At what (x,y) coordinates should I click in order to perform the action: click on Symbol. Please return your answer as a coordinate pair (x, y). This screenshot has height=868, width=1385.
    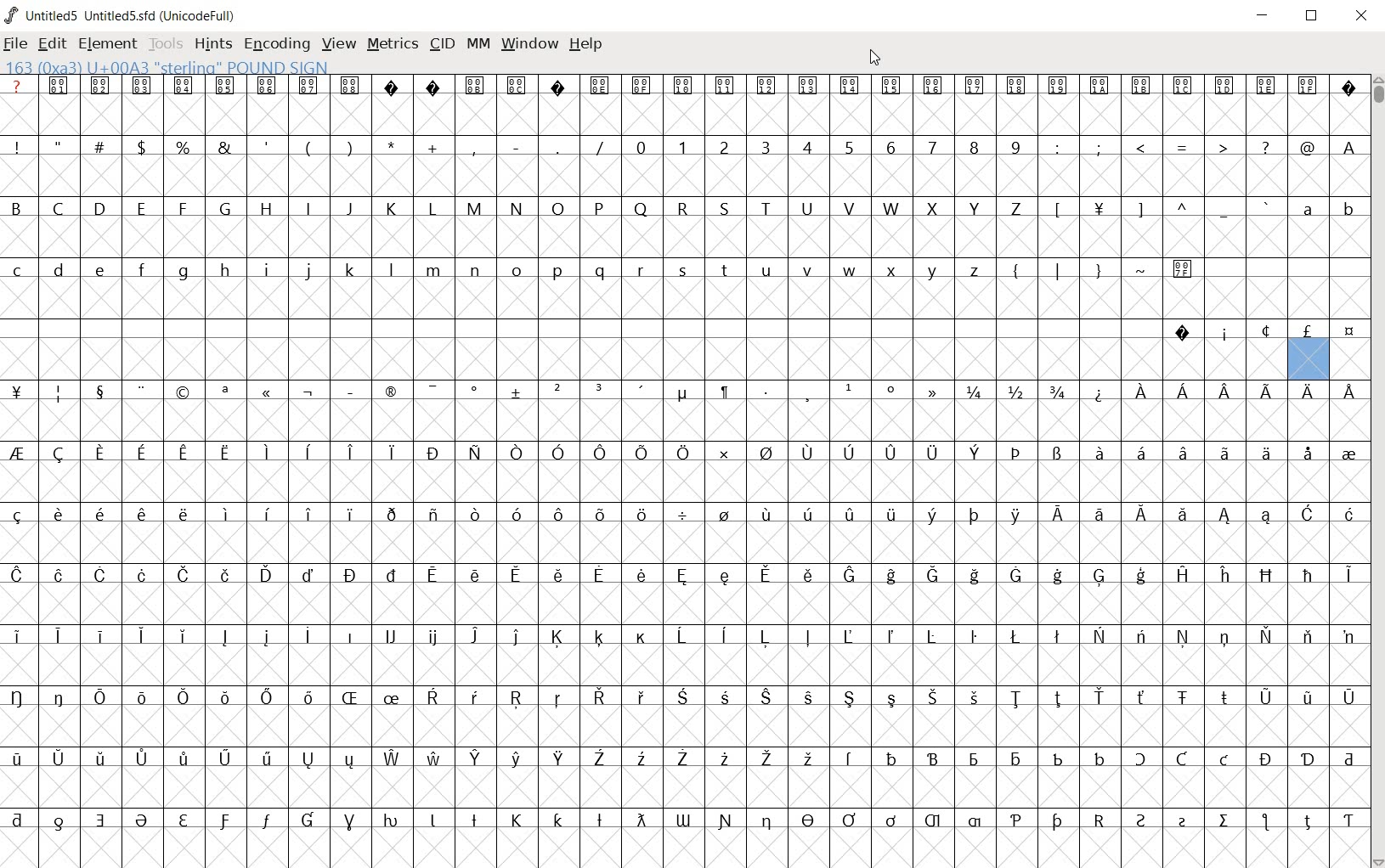
    Looking at the image, I should click on (641, 513).